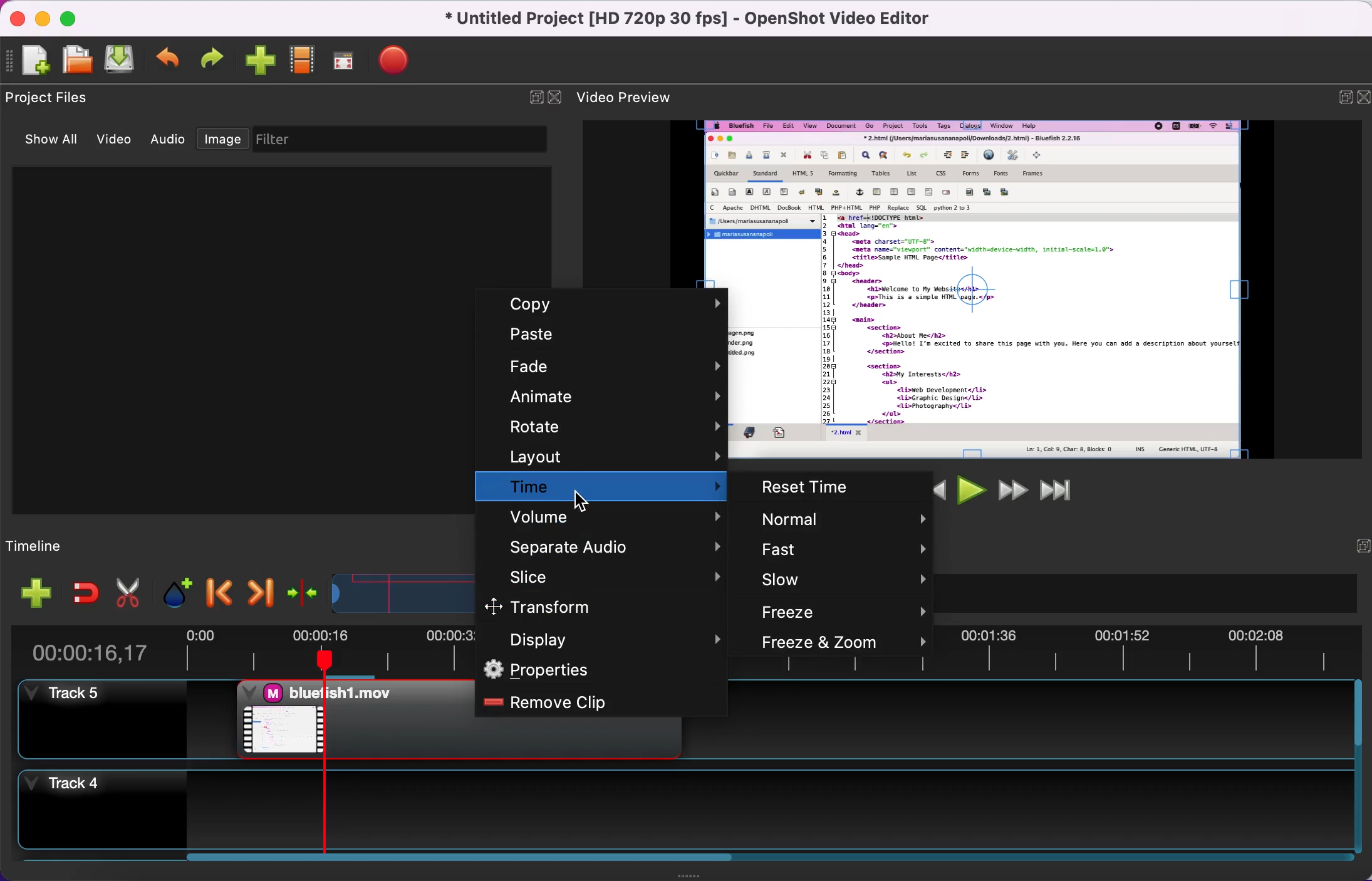  I want to click on minimize, so click(46, 20).